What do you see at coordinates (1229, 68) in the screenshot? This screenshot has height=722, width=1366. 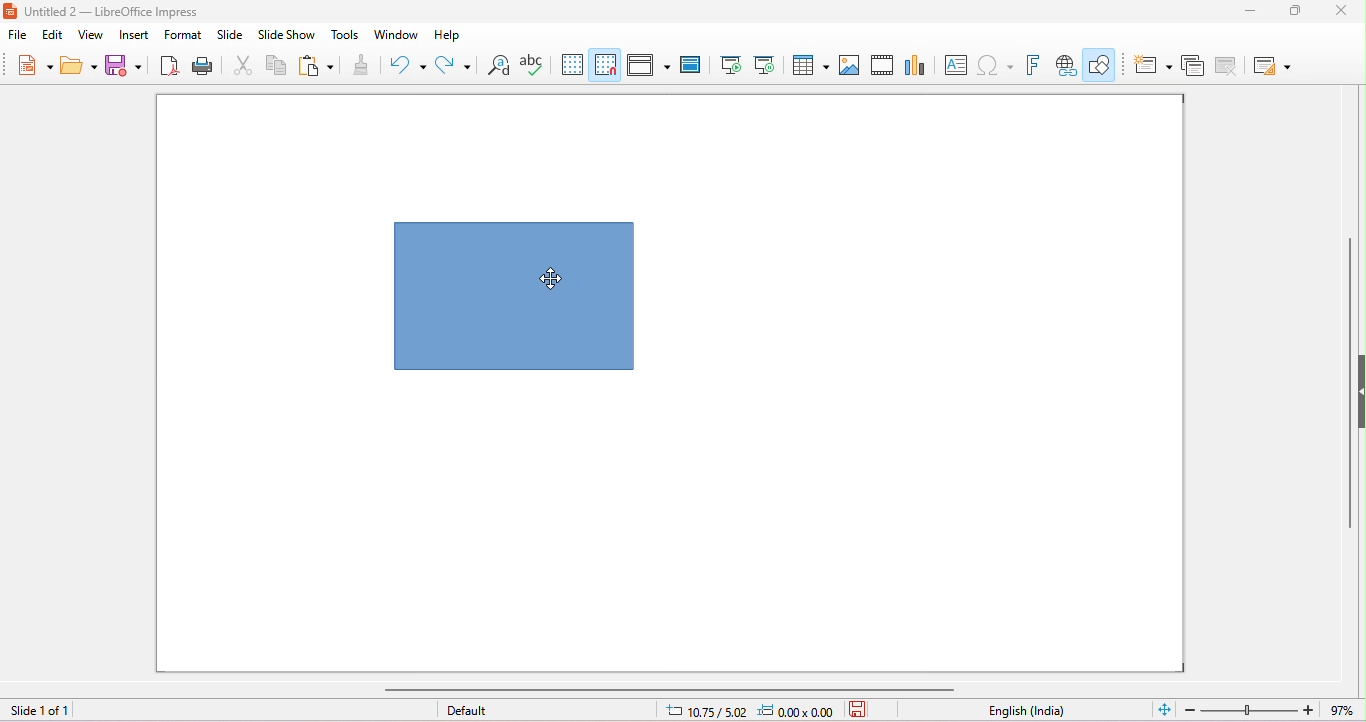 I see `delete slide` at bounding box center [1229, 68].